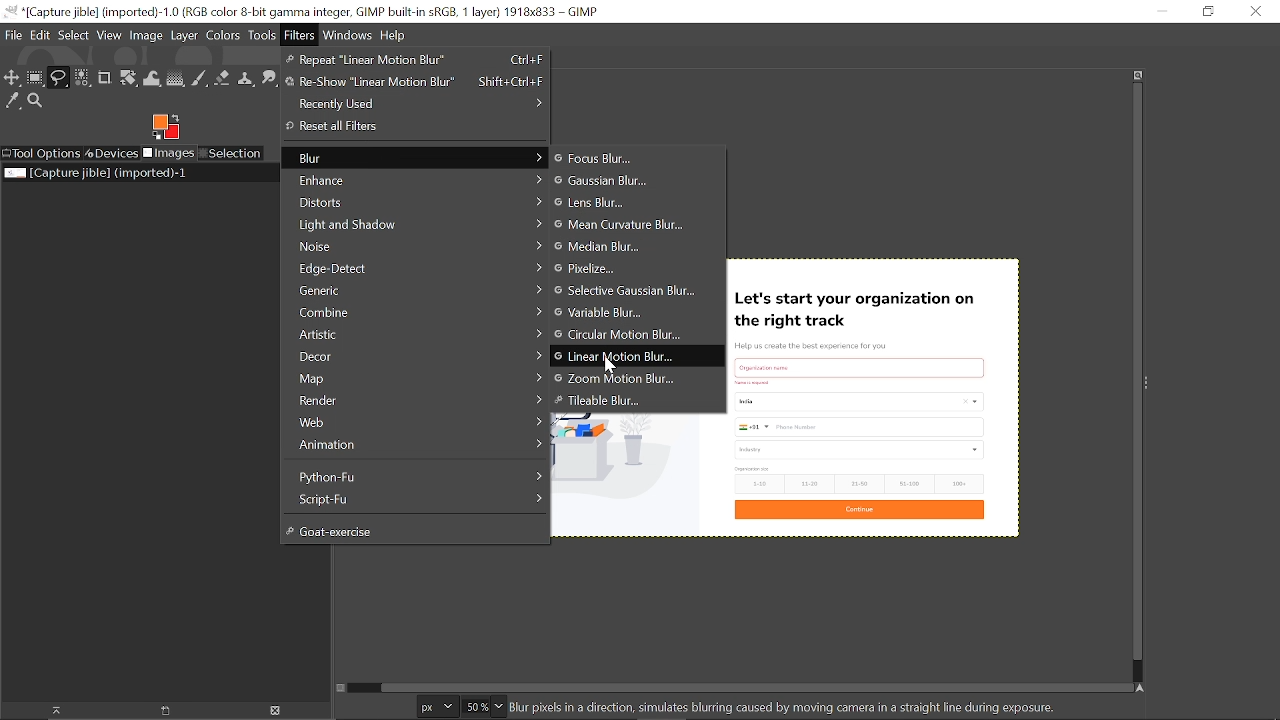 This screenshot has height=720, width=1280. Describe the element at coordinates (414, 157) in the screenshot. I see `blur` at that location.